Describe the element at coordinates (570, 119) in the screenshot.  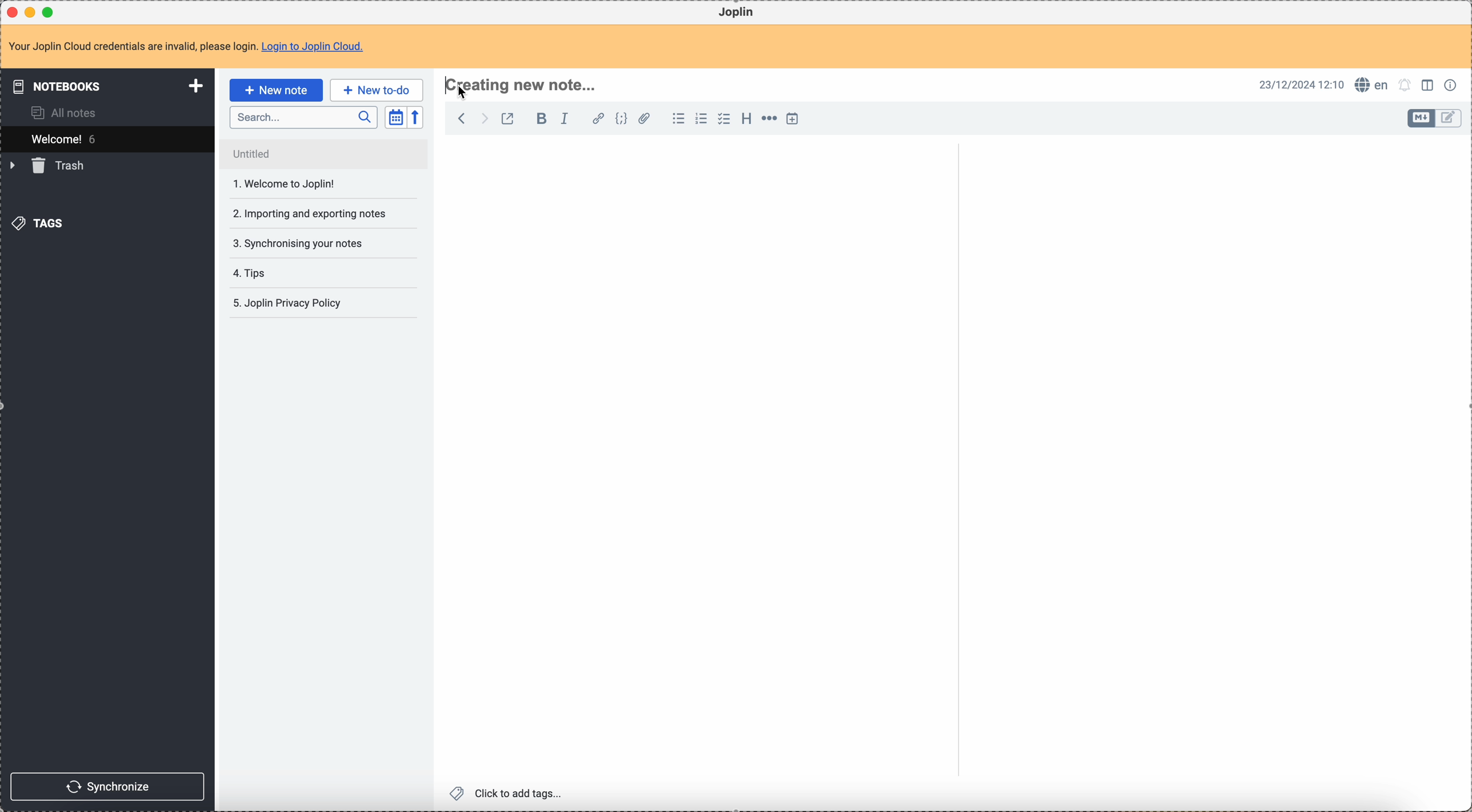
I see `italic` at that location.